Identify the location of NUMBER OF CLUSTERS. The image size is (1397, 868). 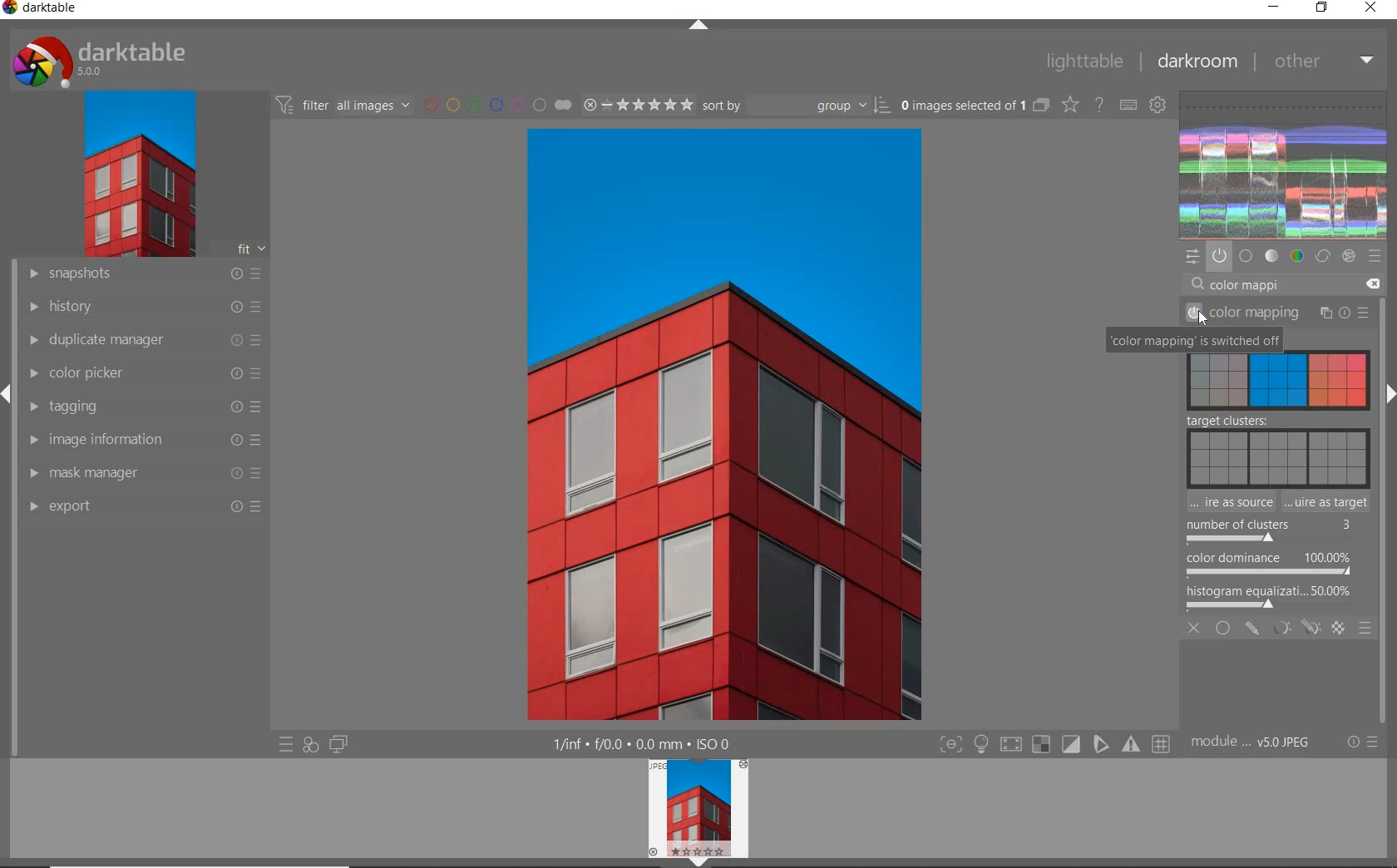
(1266, 530).